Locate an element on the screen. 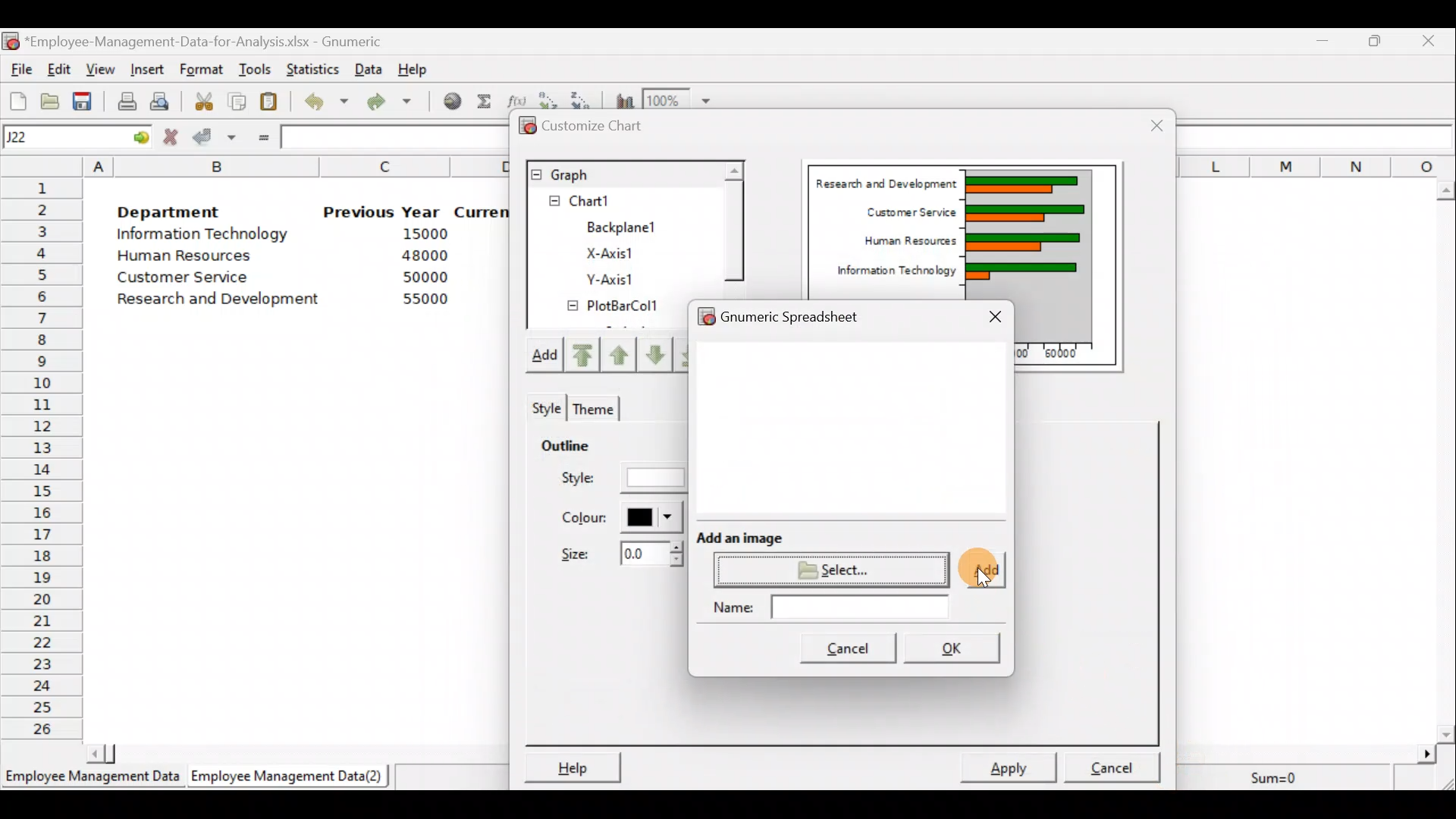 This screenshot has width=1456, height=819. Insert hyperlink is located at coordinates (450, 104).